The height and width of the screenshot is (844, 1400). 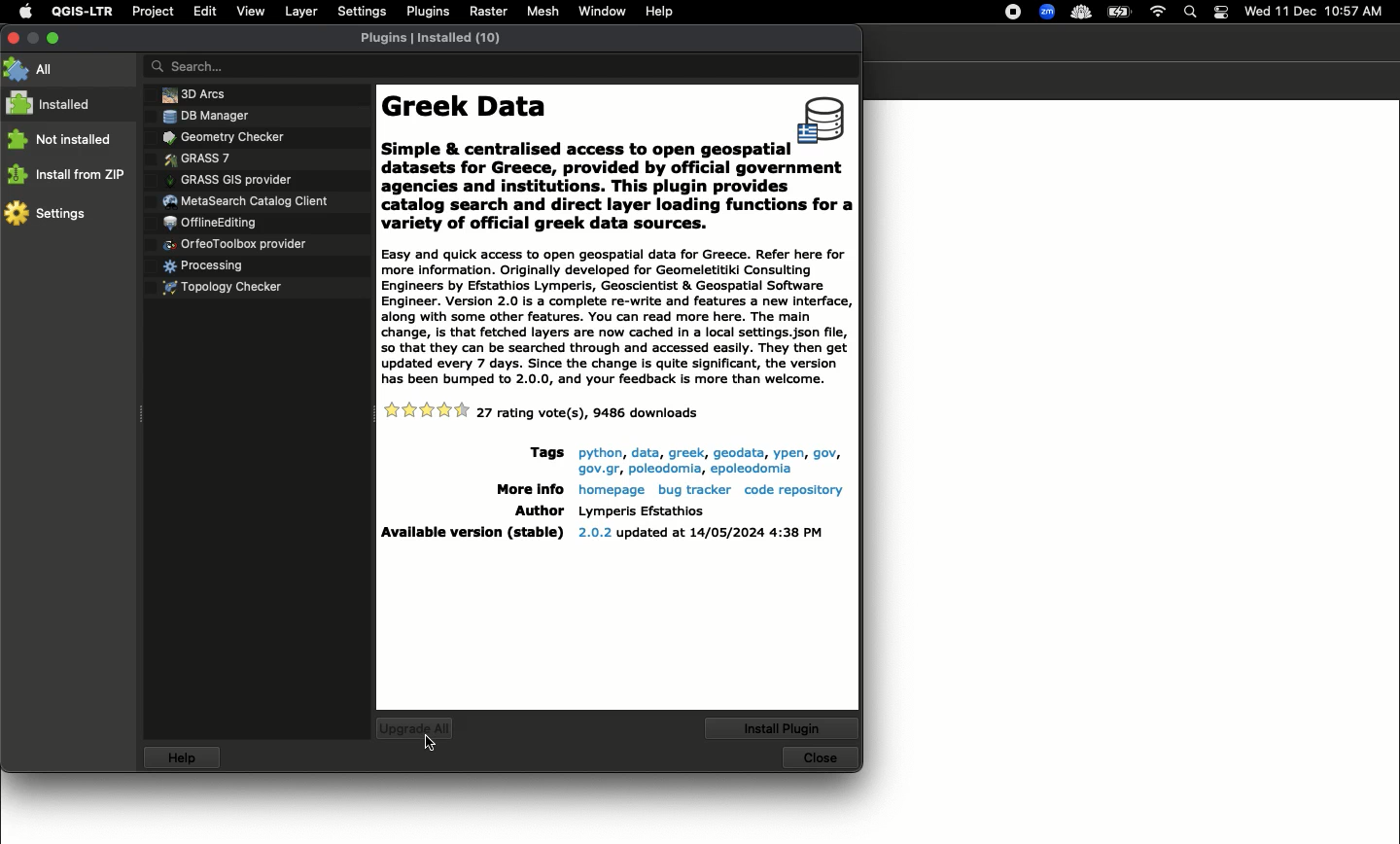 I want to click on Mesh, so click(x=543, y=13).